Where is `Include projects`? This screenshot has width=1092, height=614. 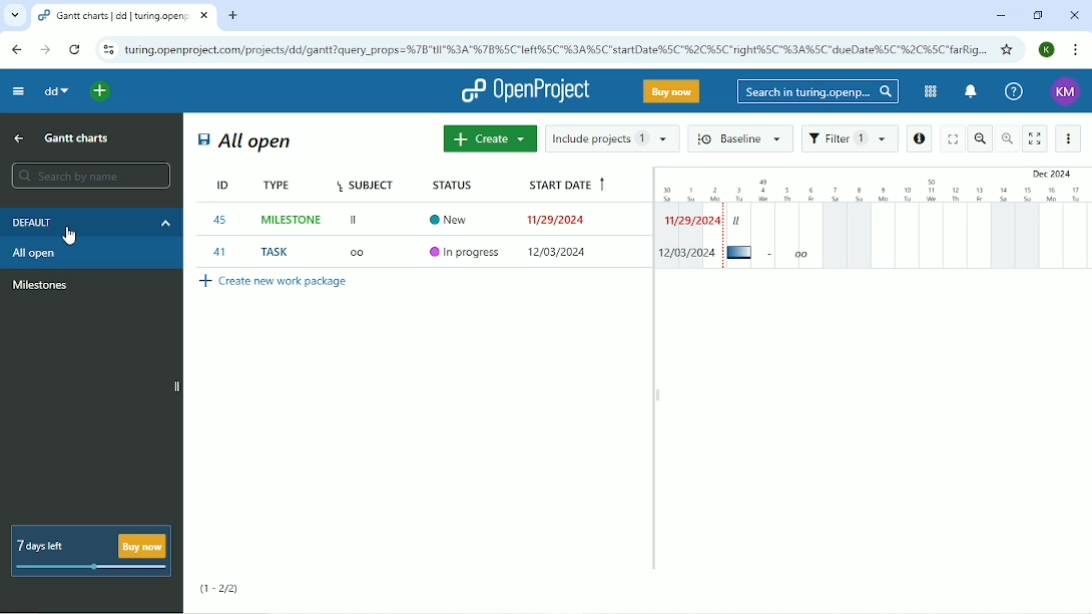
Include projects is located at coordinates (613, 140).